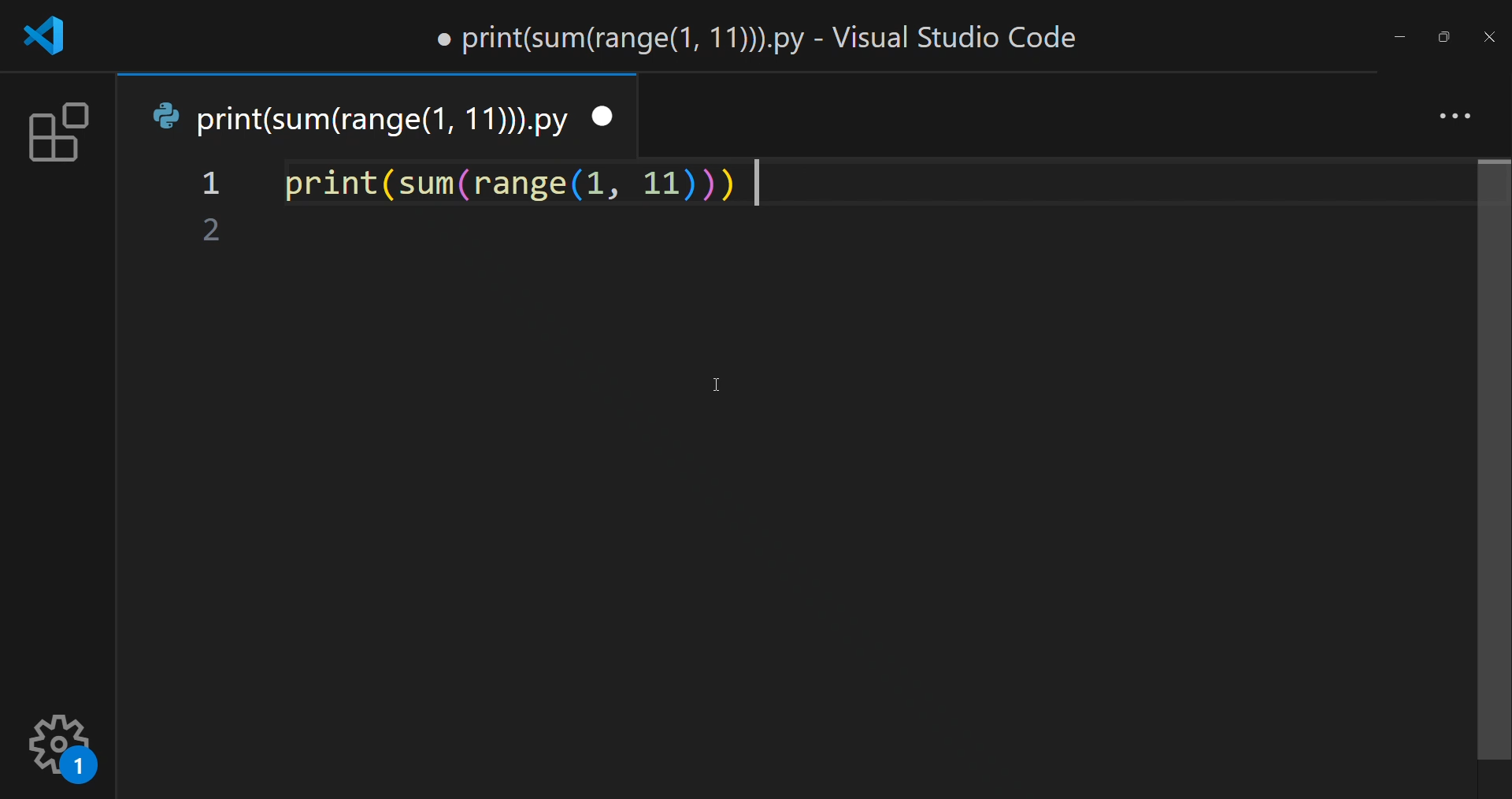  I want to click on extension, so click(54, 136).